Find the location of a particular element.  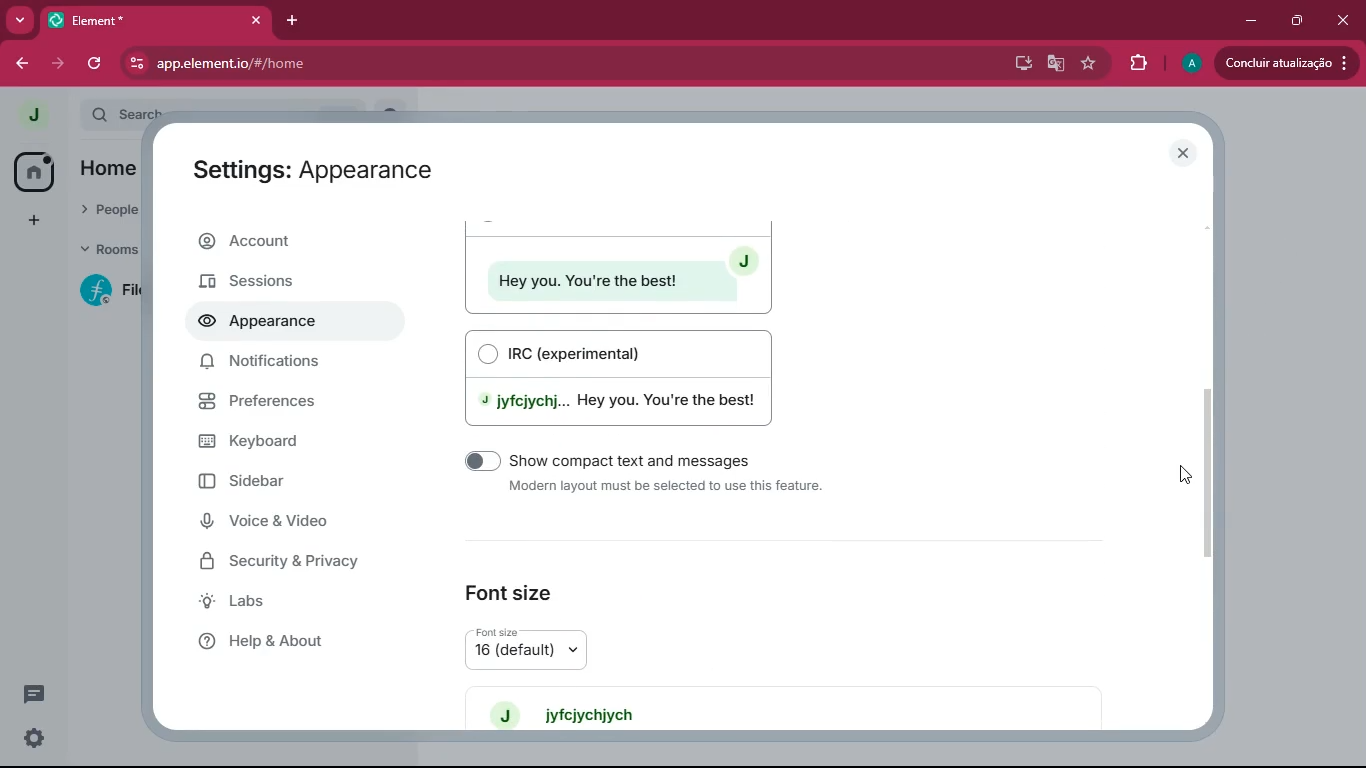

Element* is located at coordinates (139, 21).